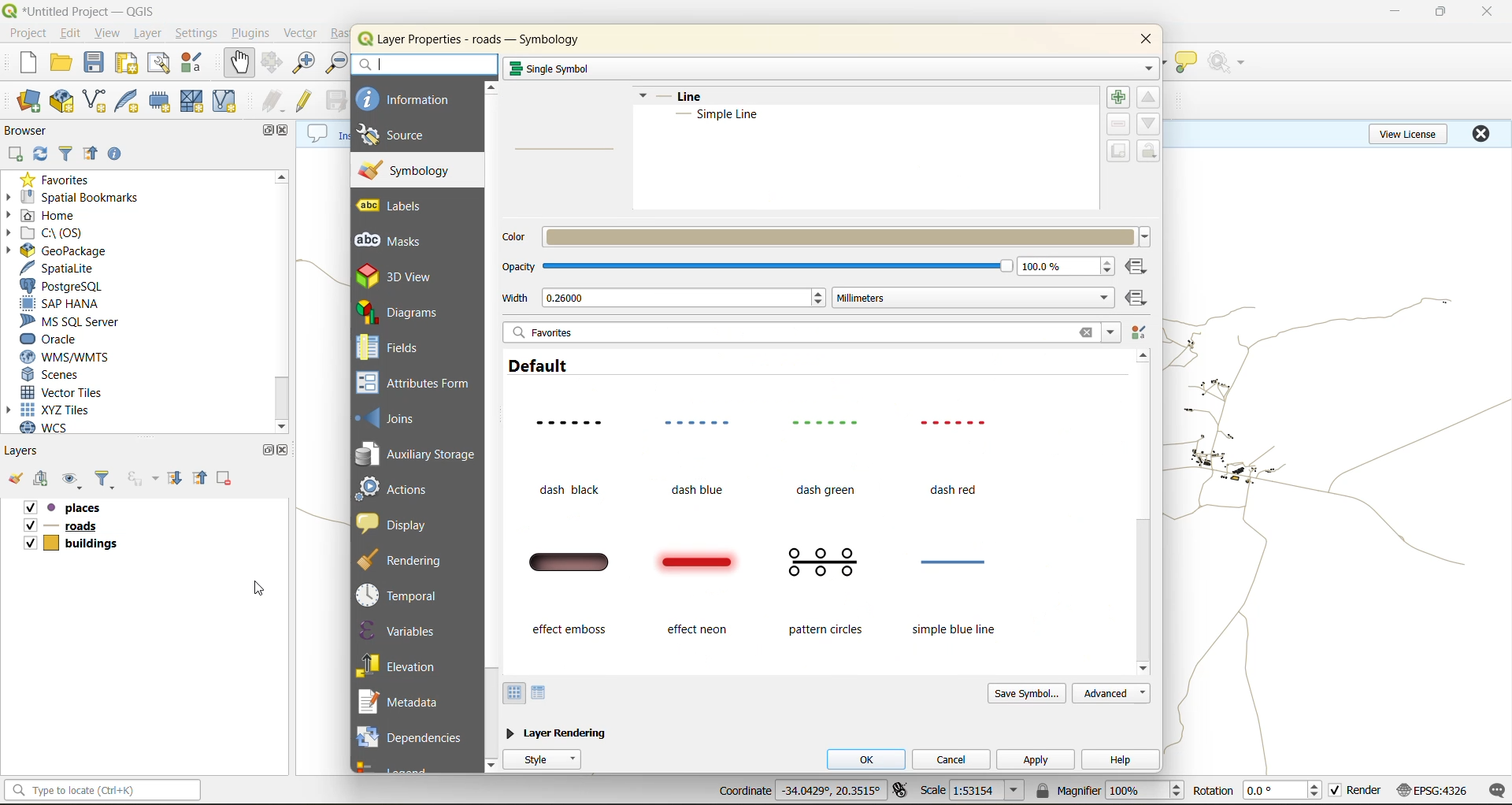 The width and height of the screenshot is (1512, 805). Describe the element at coordinates (283, 132) in the screenshot. I see `close` at that location.